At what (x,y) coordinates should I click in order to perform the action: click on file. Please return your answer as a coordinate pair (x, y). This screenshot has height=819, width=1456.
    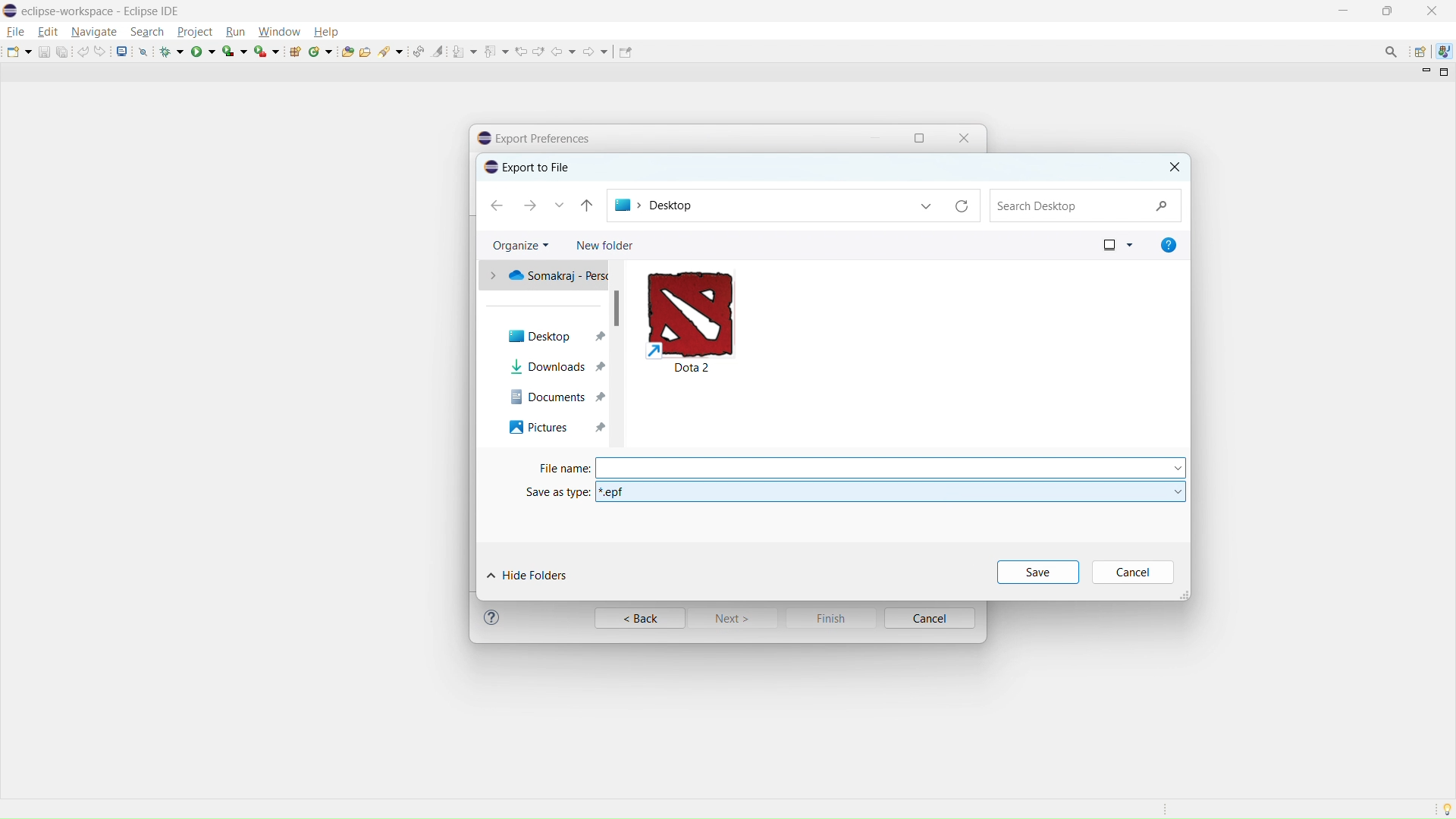
    Looking at the image, I should click on (17, 32).